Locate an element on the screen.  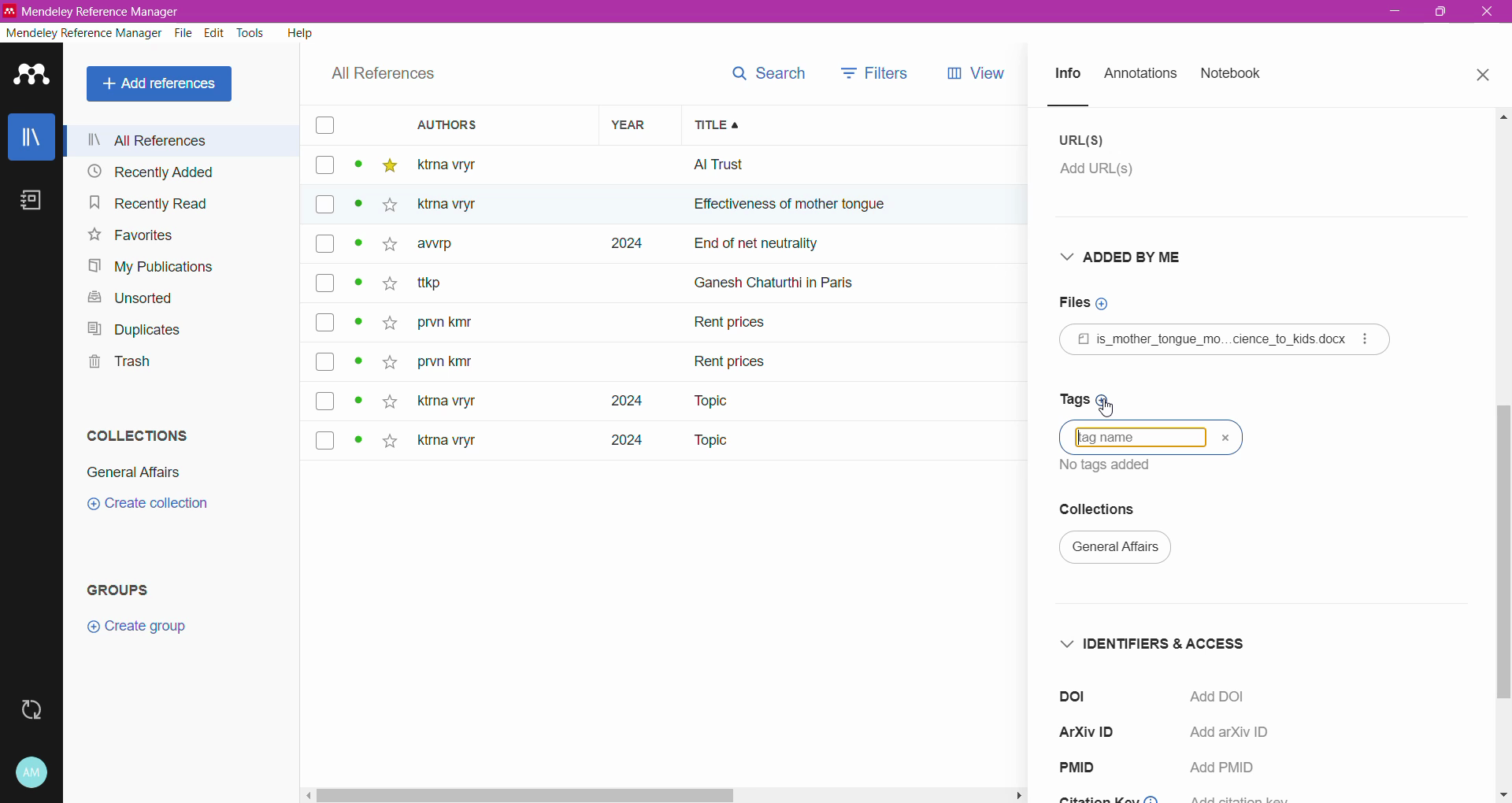
Edit is located at coordinates (216, 33).